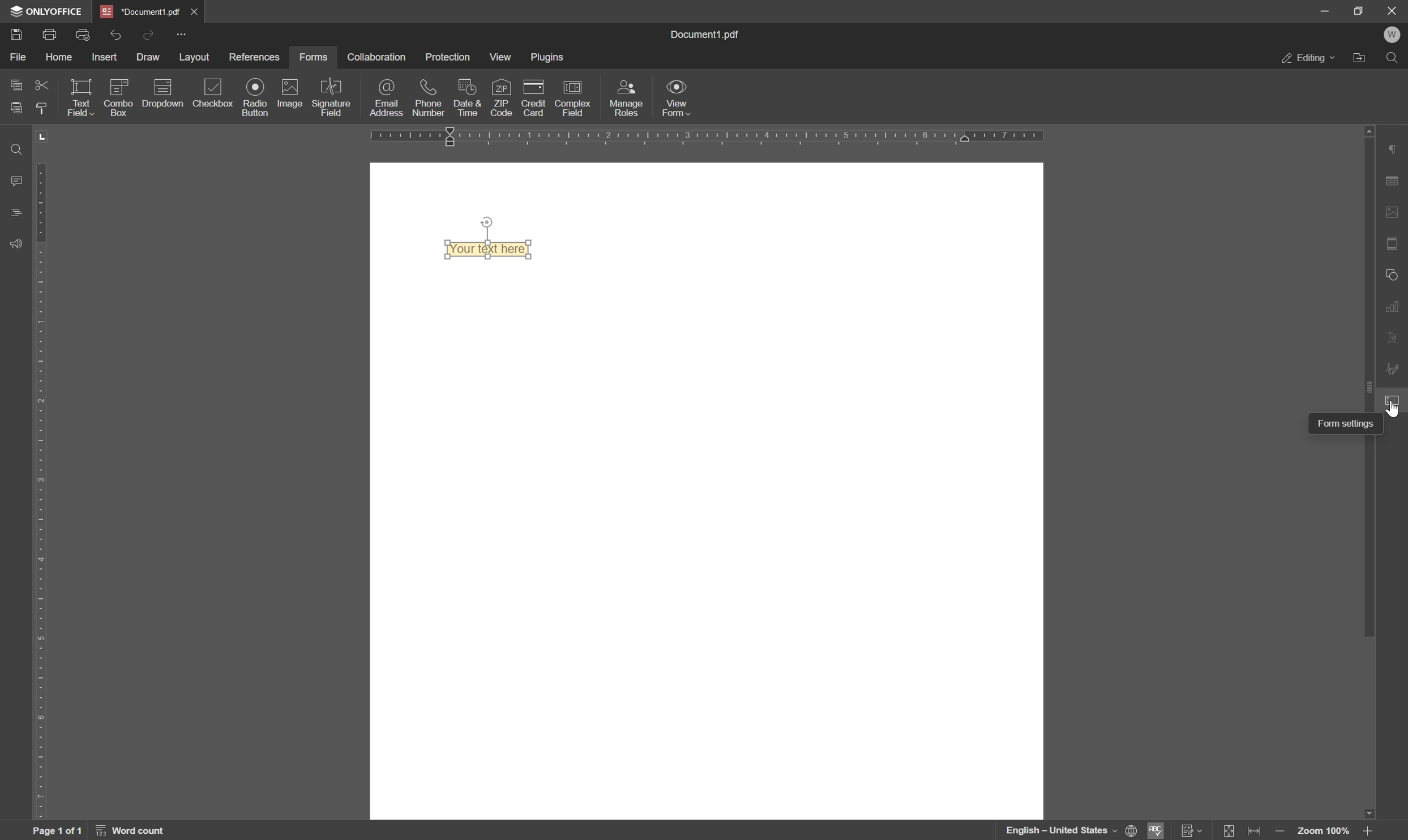  Describe the element at coordinates (1061, 830) in the screenshot. I see `english - united states` at that location.